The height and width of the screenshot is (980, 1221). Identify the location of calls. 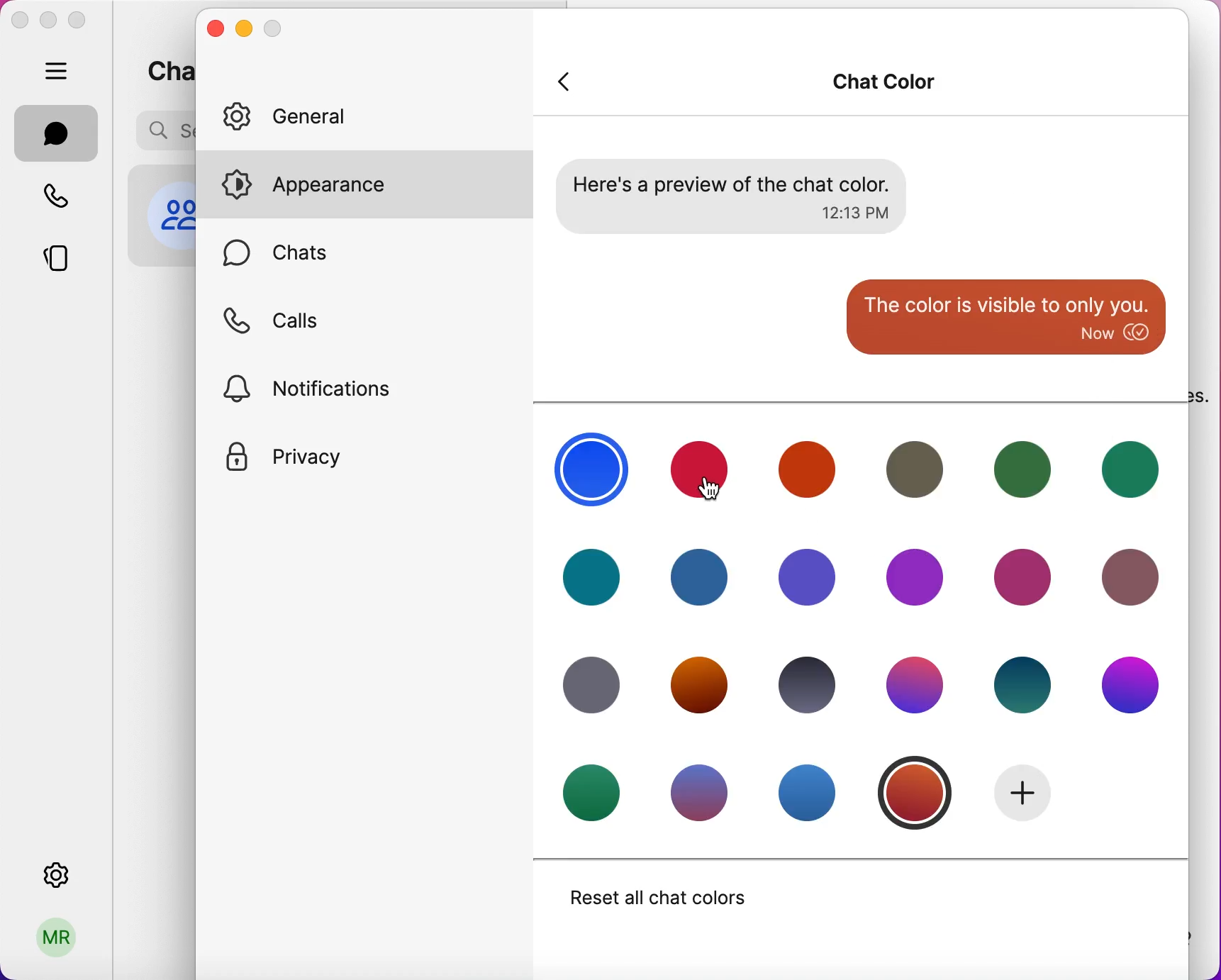
(325, 321).